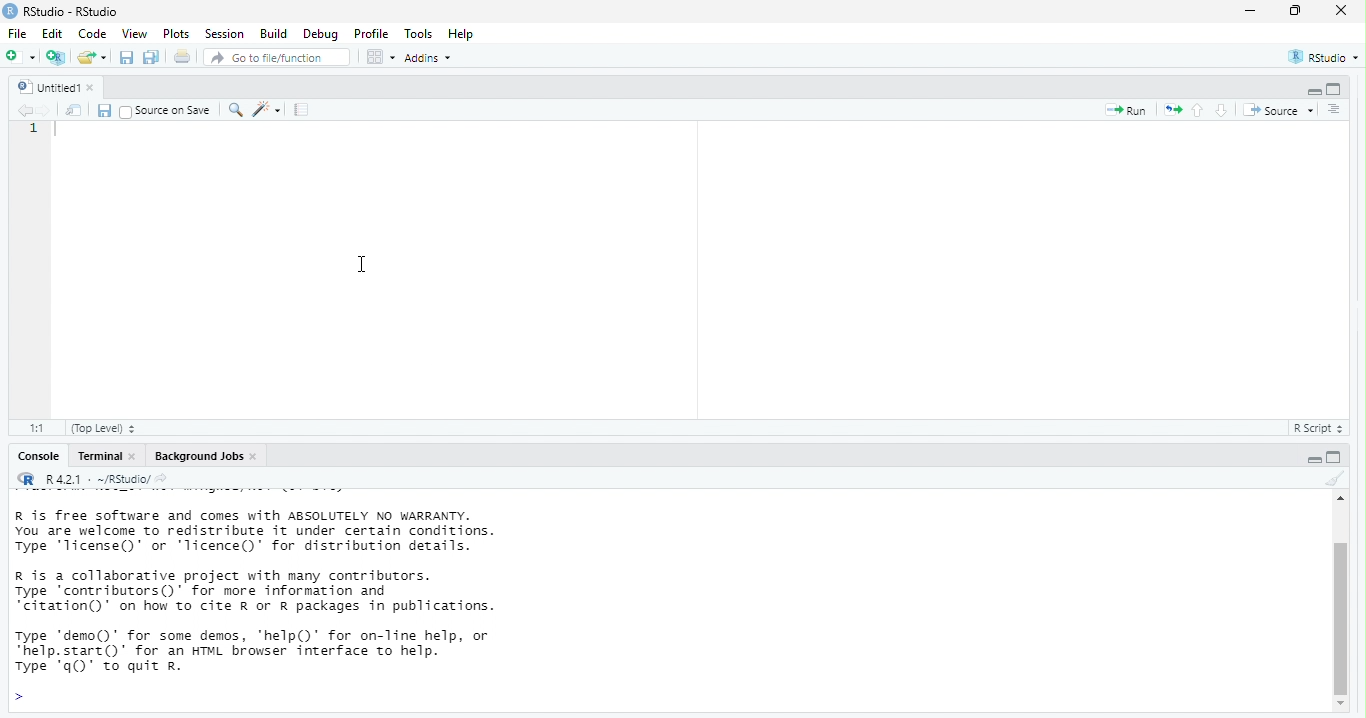  What do you see at coordinates (1128, 111) in the screenshot?
I see `run the current line or selection` at bounding box center [1128, 111].